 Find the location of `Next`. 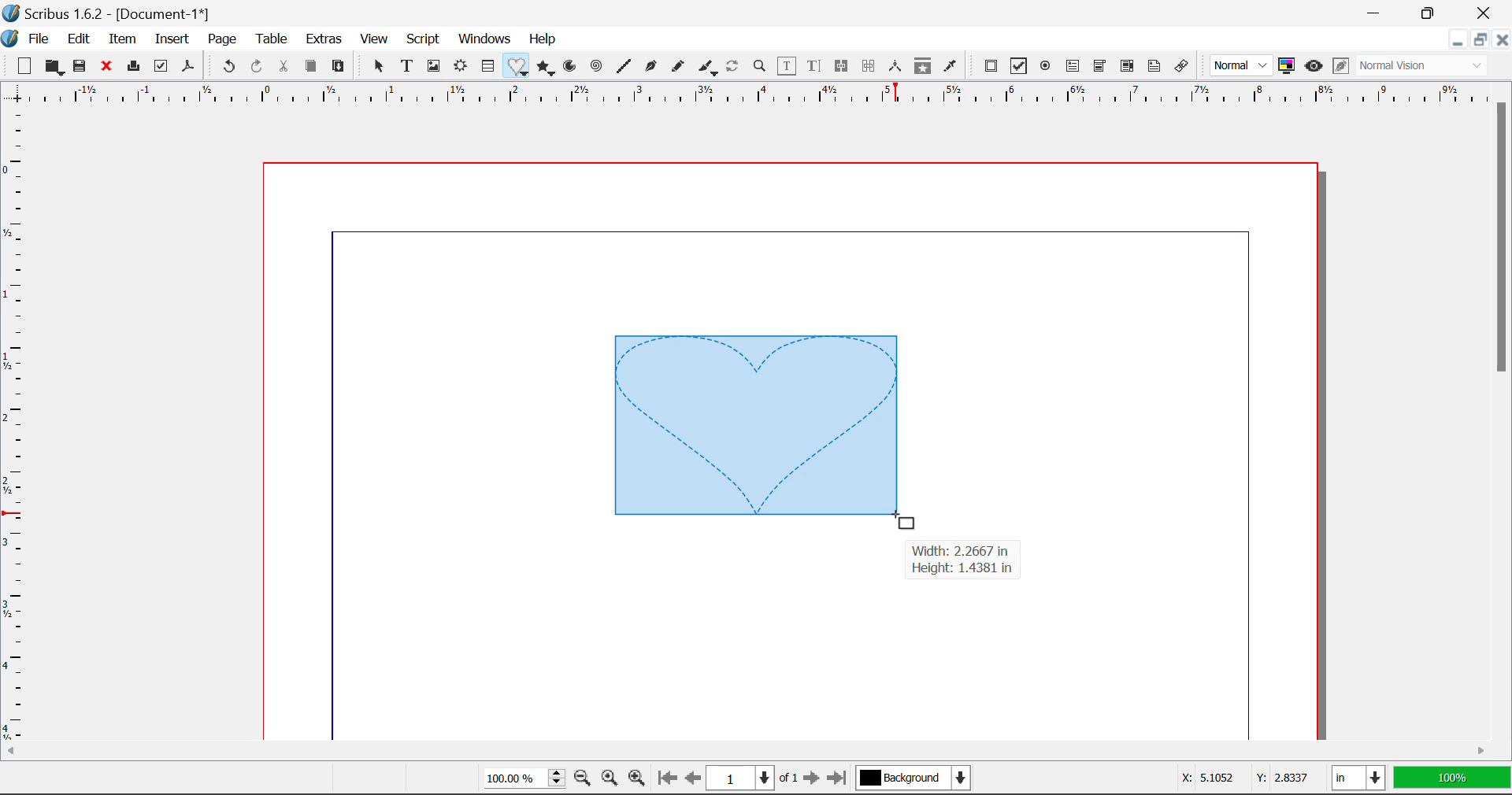

Next is located at coordinates (813, 779).